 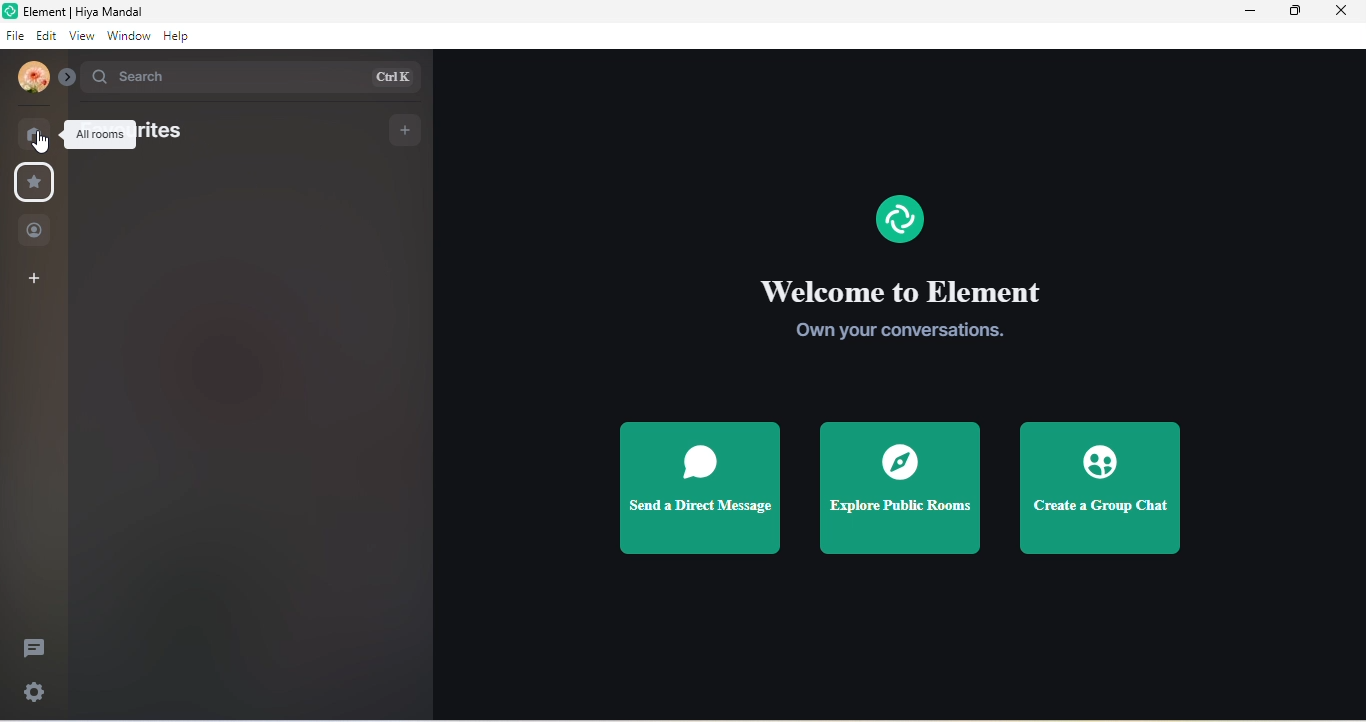 I want to click on favorites, so click(x=166, y=136).